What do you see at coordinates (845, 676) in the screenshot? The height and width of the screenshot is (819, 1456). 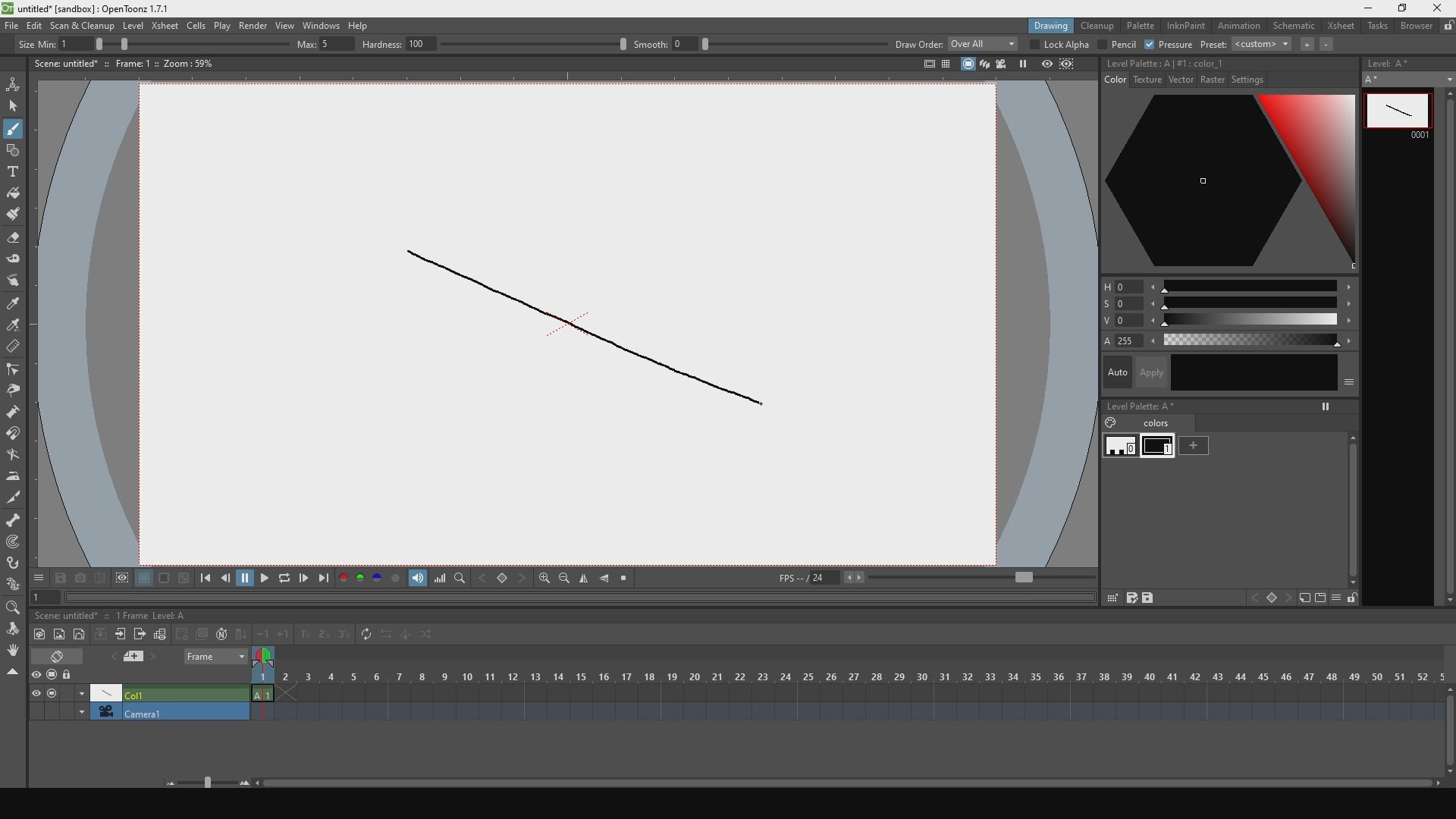 I see `scene frame` at bounding box center [845, 676].